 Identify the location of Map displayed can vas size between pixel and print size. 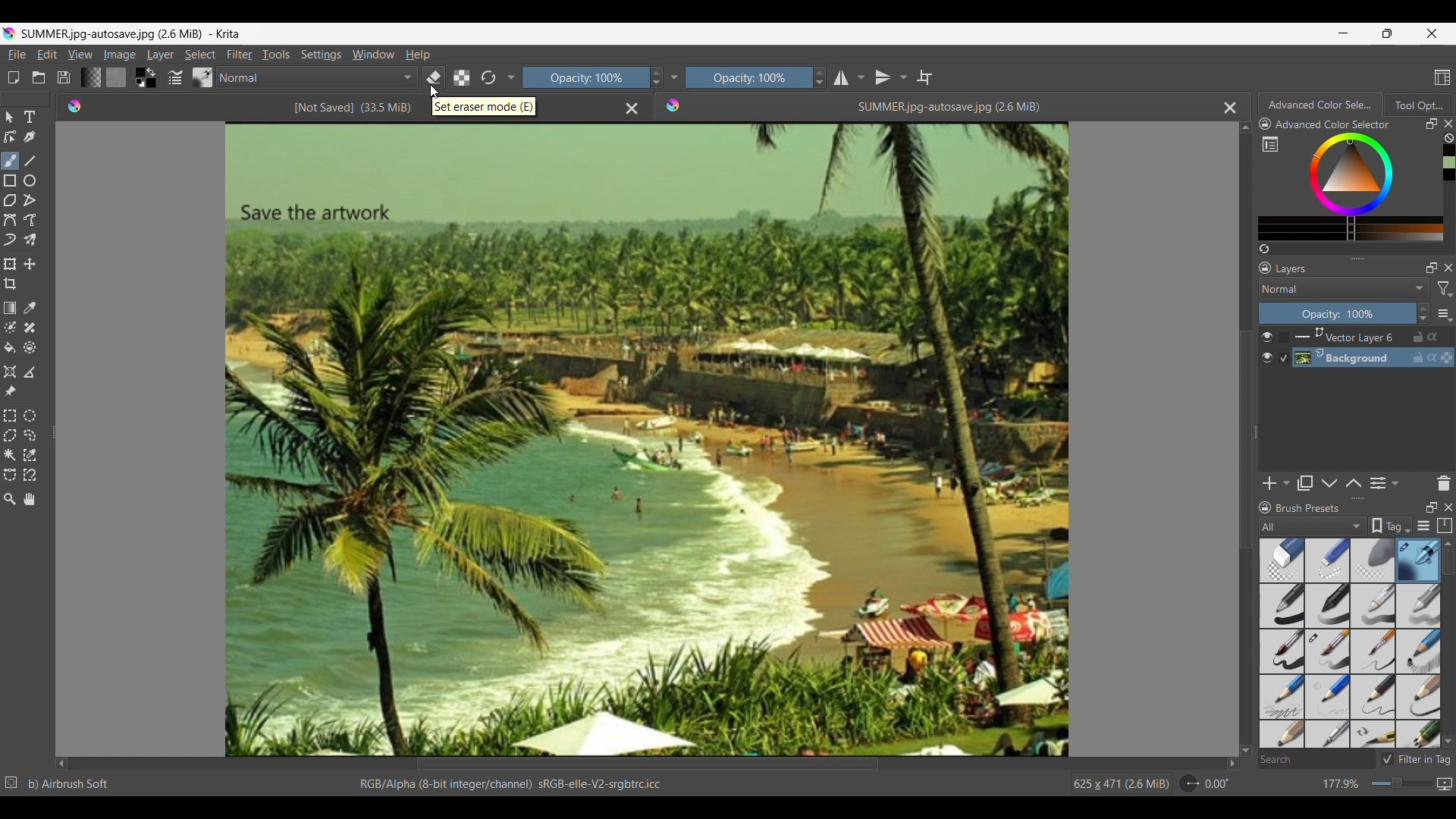
(1445, 784).